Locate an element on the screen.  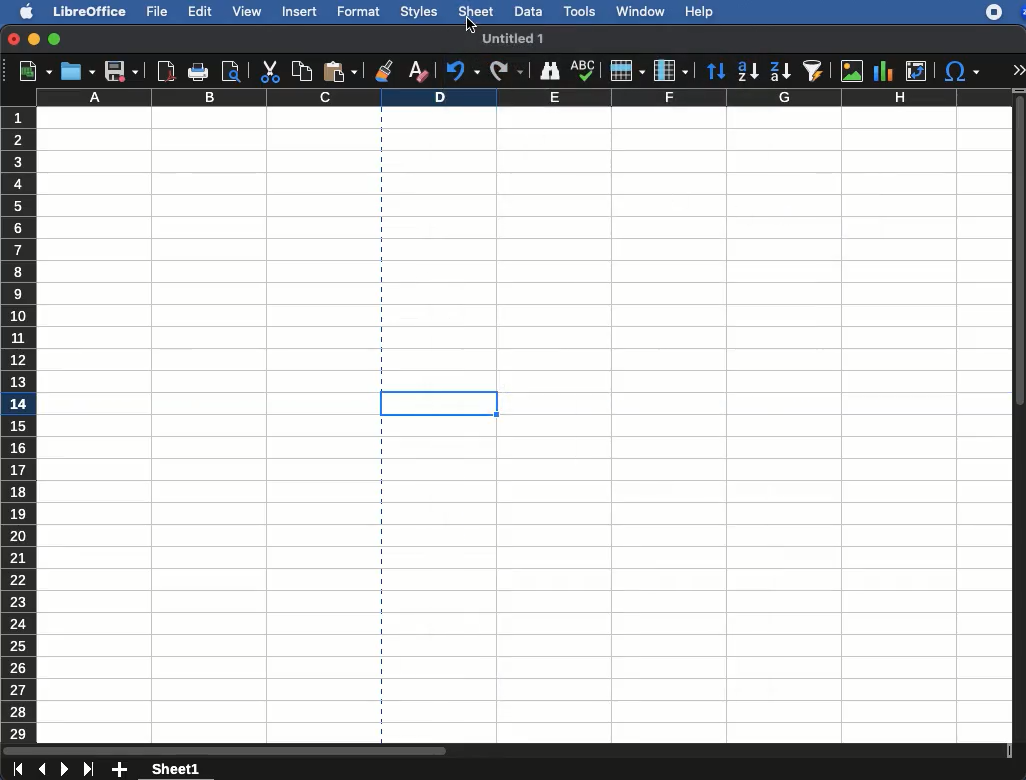
untitled 1 is located at coordinates (515, 39).